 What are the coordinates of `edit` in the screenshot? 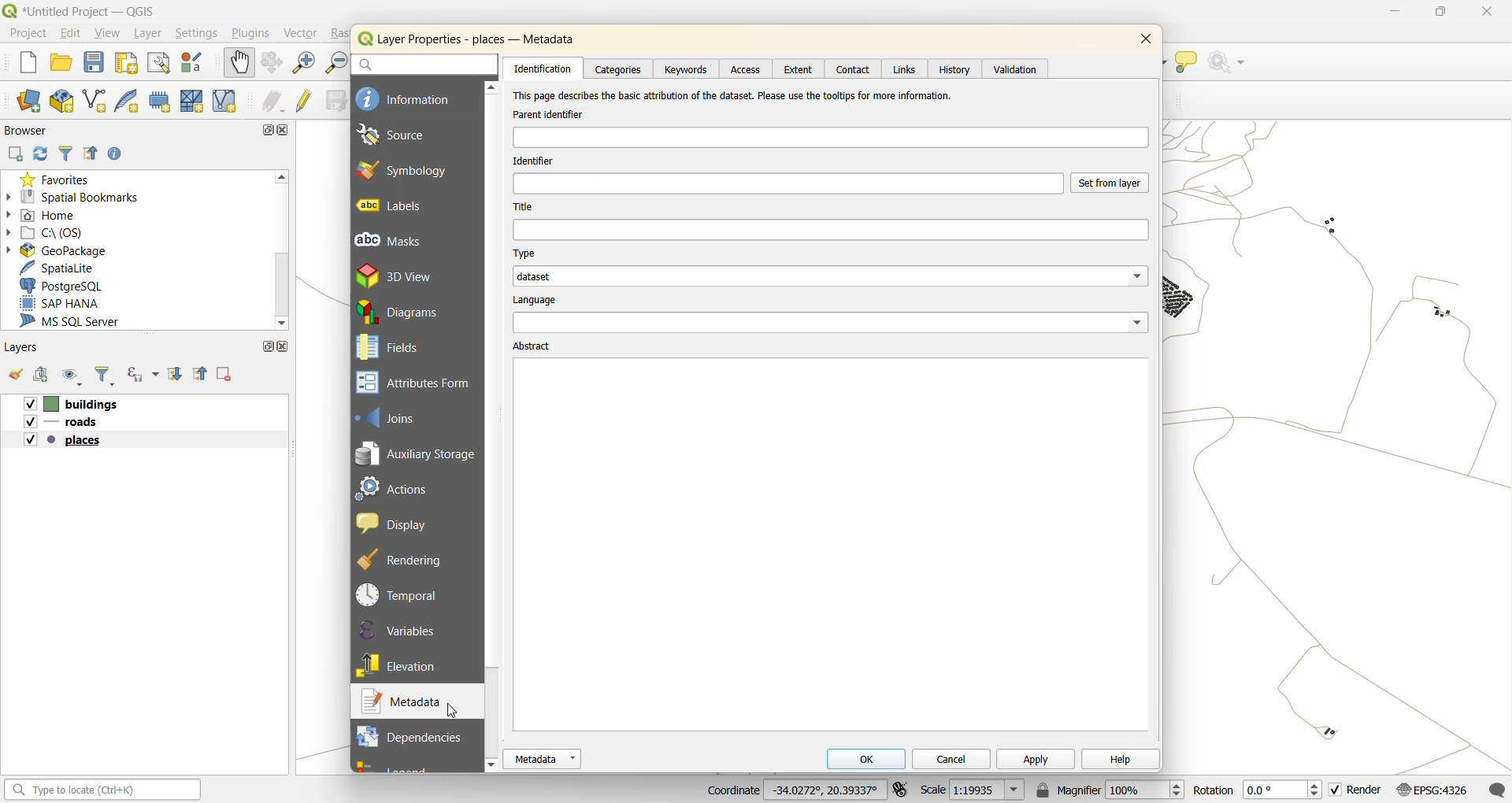 It's located at (76, 34).